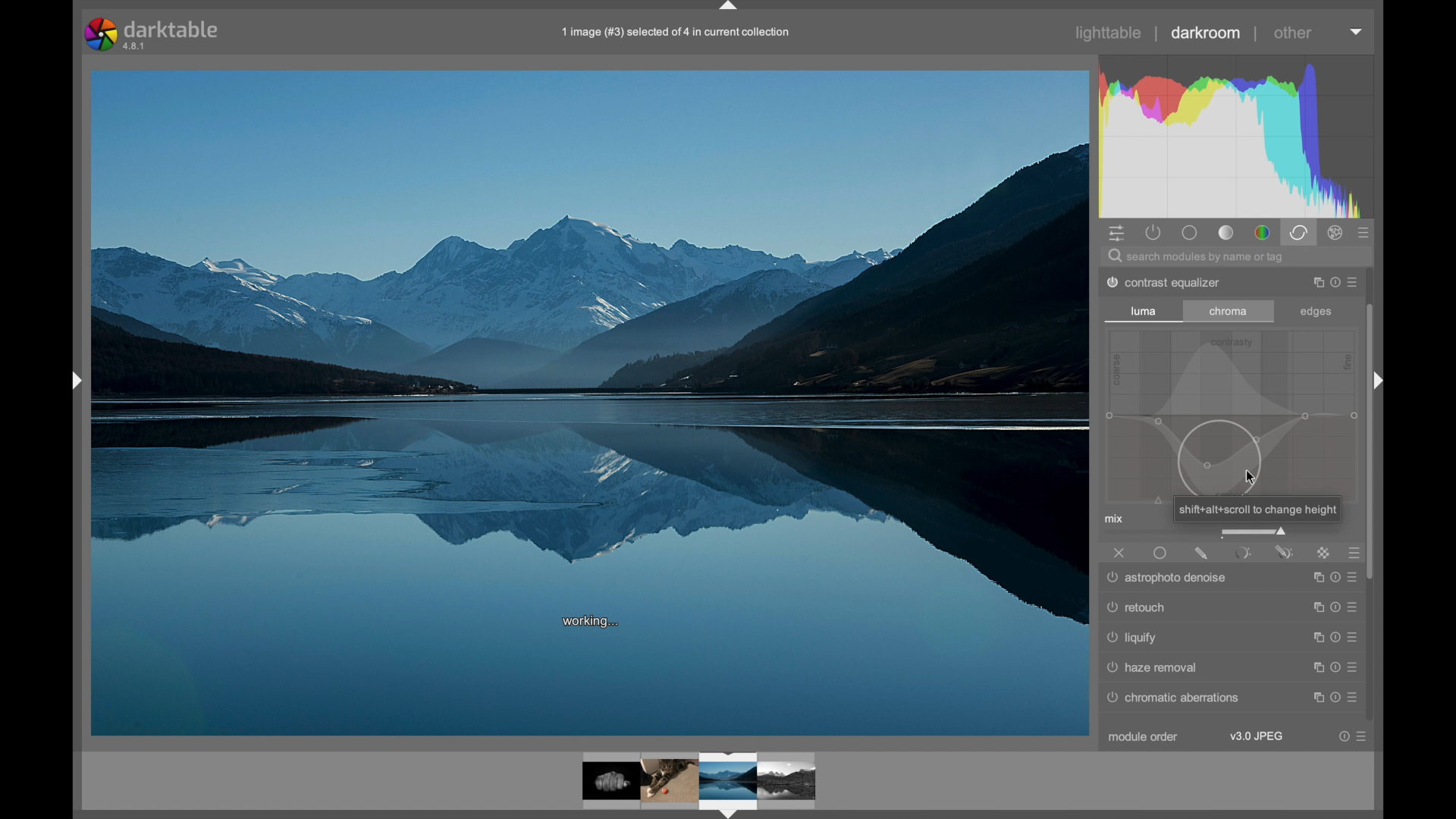 The width and height of the screenshot is (1456, 819). Describe the element at coordinates (1206, 33) in the screenshot. I see `darkroom` at that location.